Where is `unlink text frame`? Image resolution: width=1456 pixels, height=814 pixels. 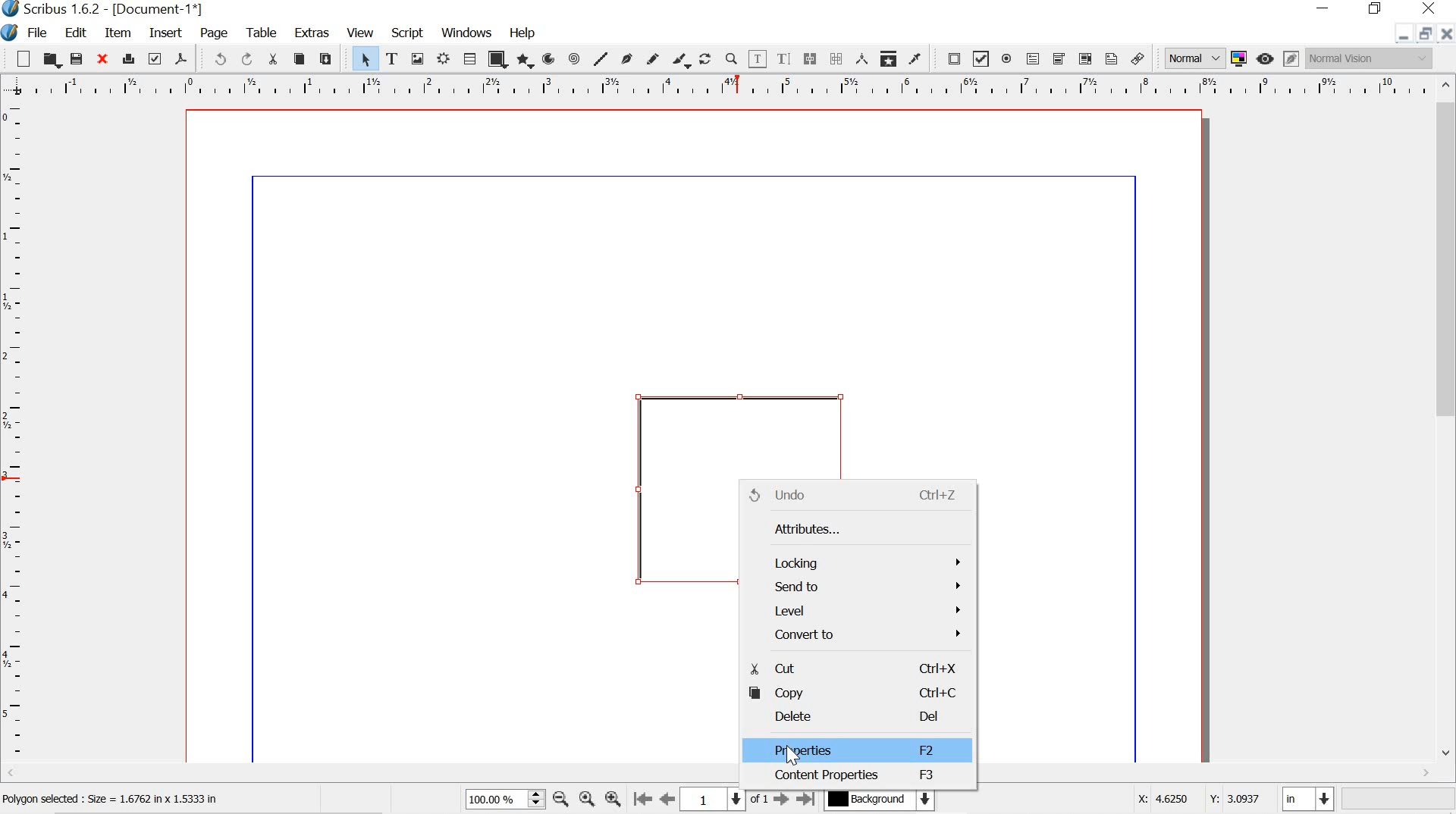
unlink text frame is located at coordinates (836, 58).